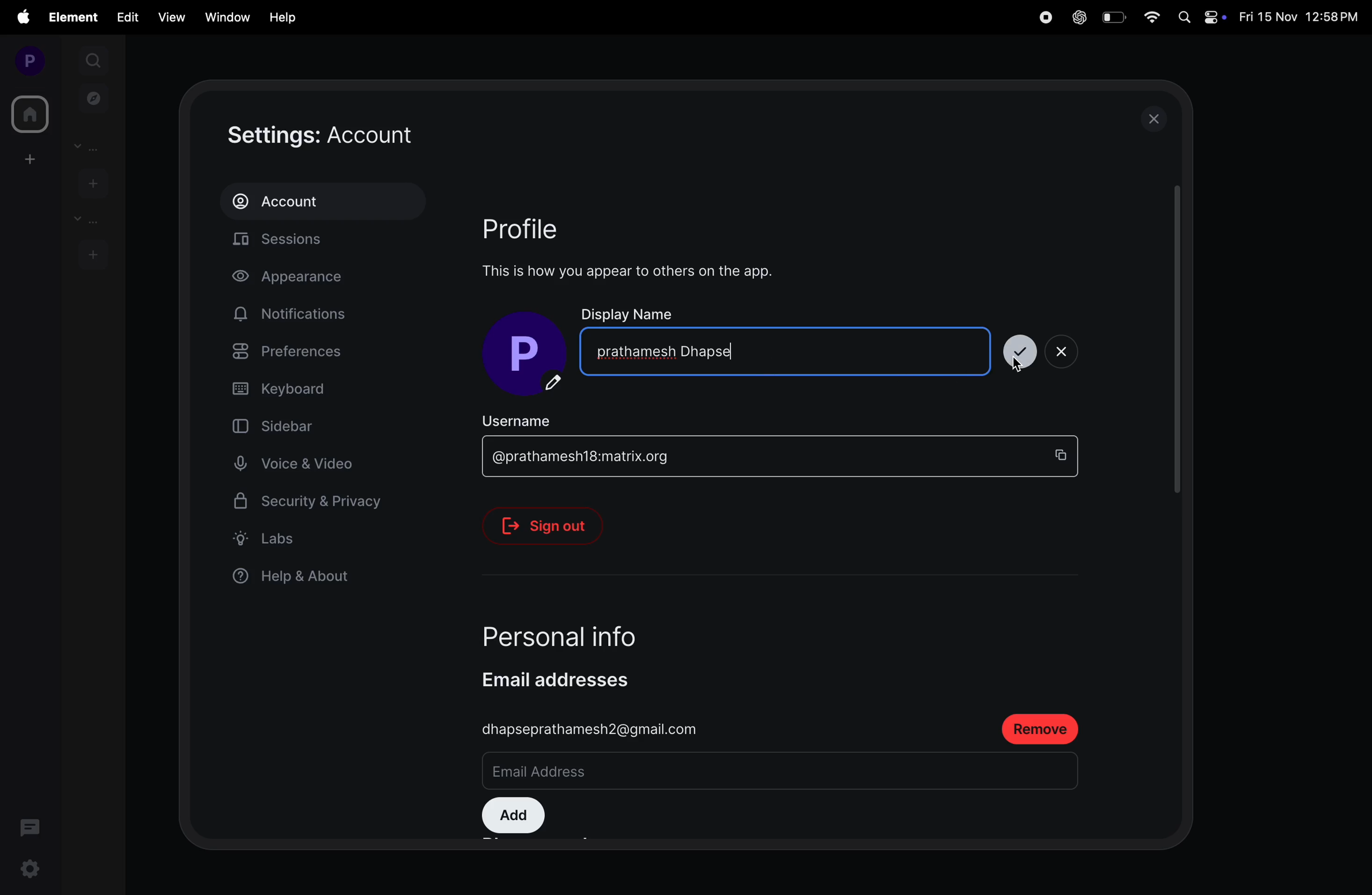 The image size is (1372, 895). Describe the element at coordinates (168, 17) in the screenshot. I see `view` at that location.